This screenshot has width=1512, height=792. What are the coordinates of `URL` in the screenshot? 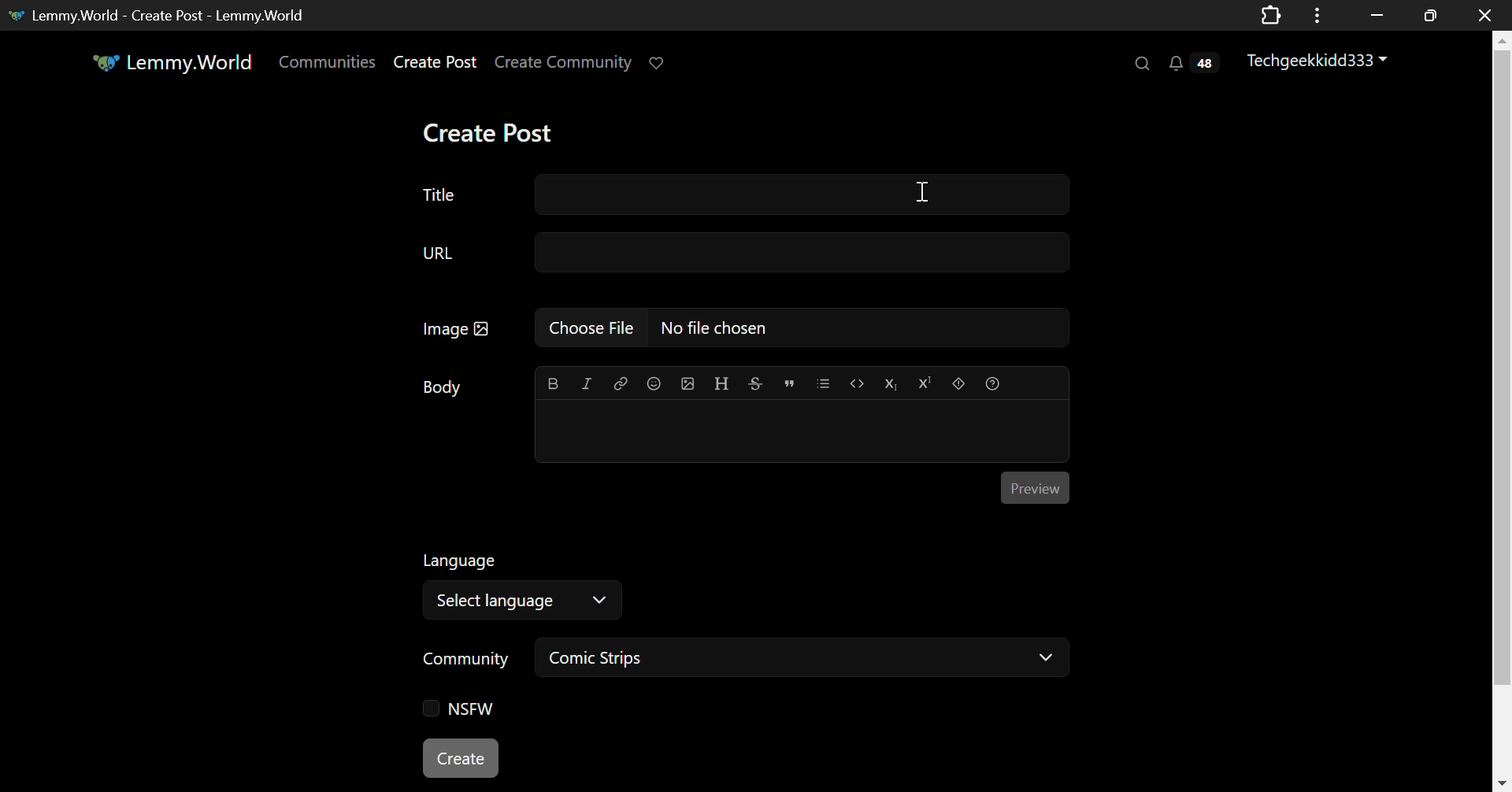 It's located at (743, 257).